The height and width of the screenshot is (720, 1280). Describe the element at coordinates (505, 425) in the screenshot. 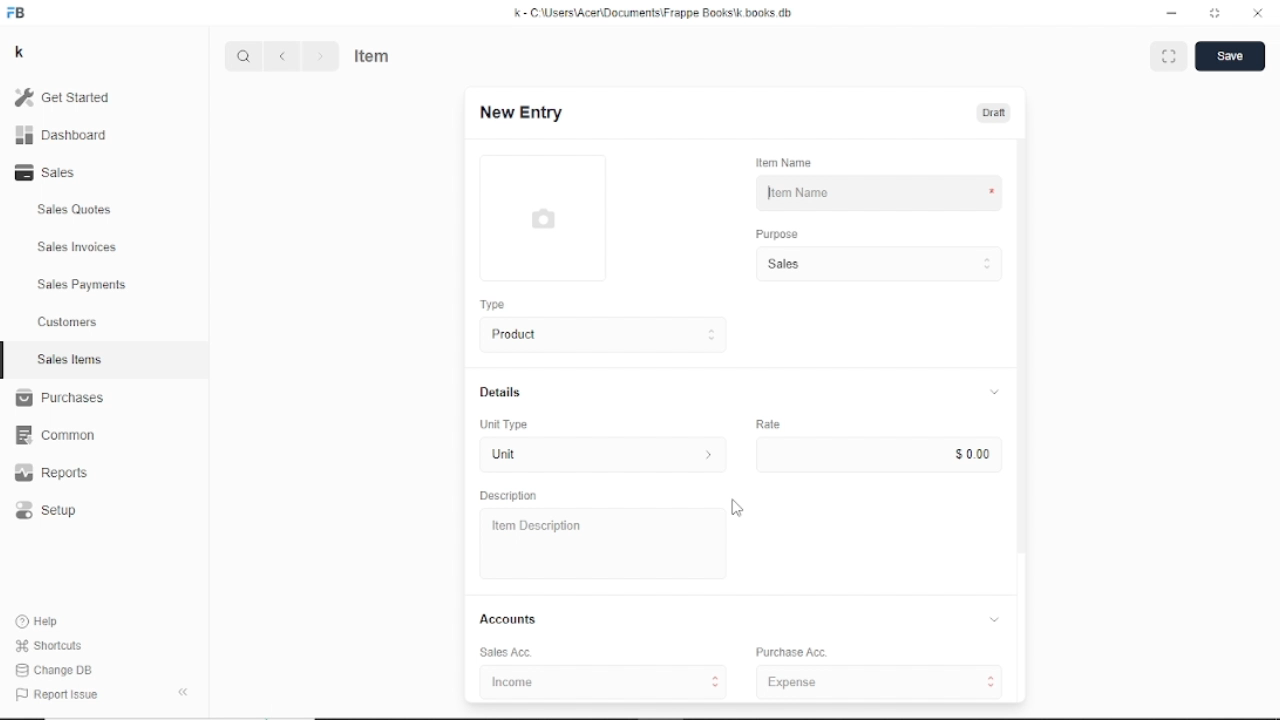

I see `Unit Type` at that location.